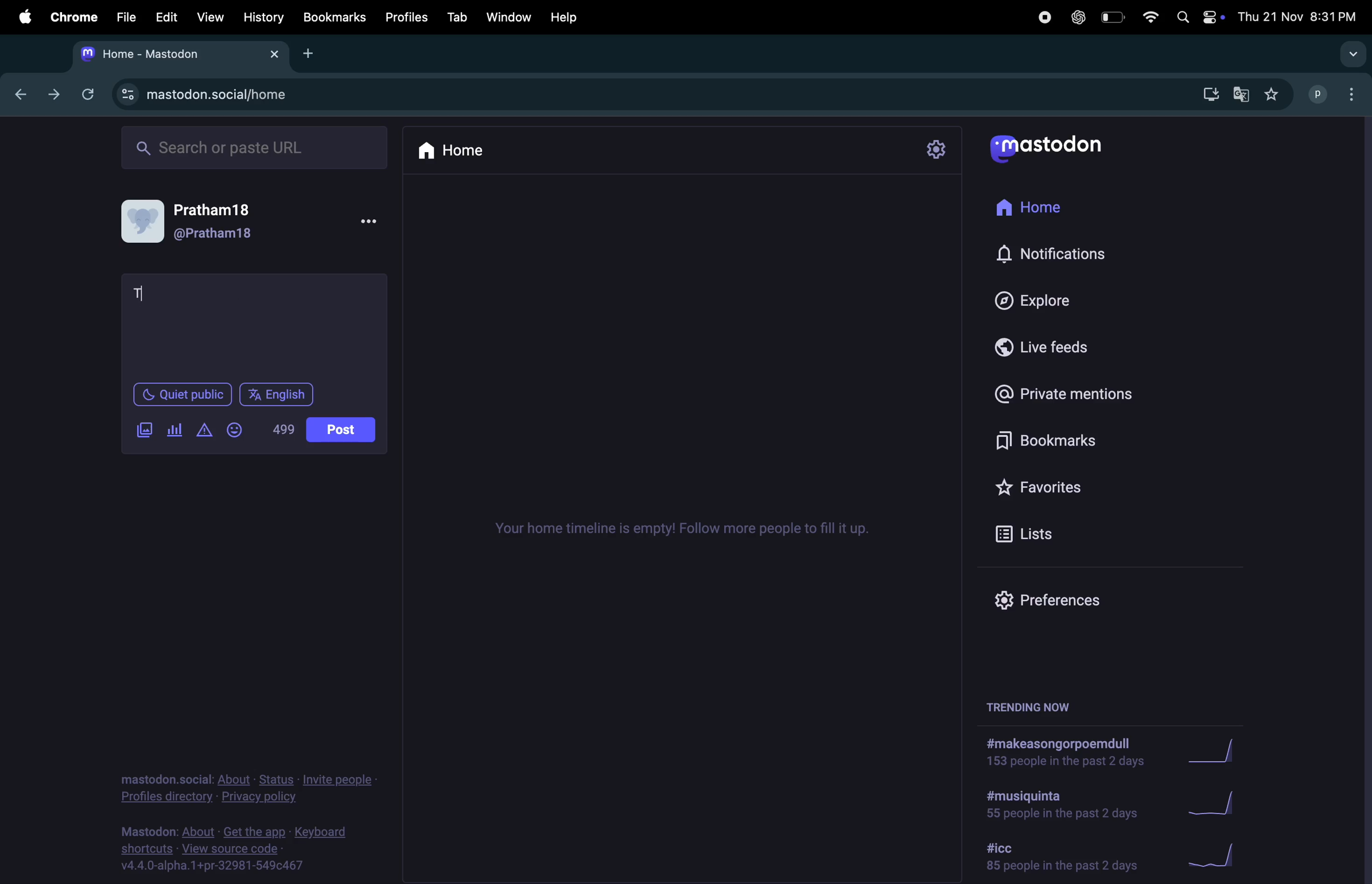 The image size is (1372, 884). Describe the element at coordinates (561, 18) in the screenshot. I see `help` at that location.